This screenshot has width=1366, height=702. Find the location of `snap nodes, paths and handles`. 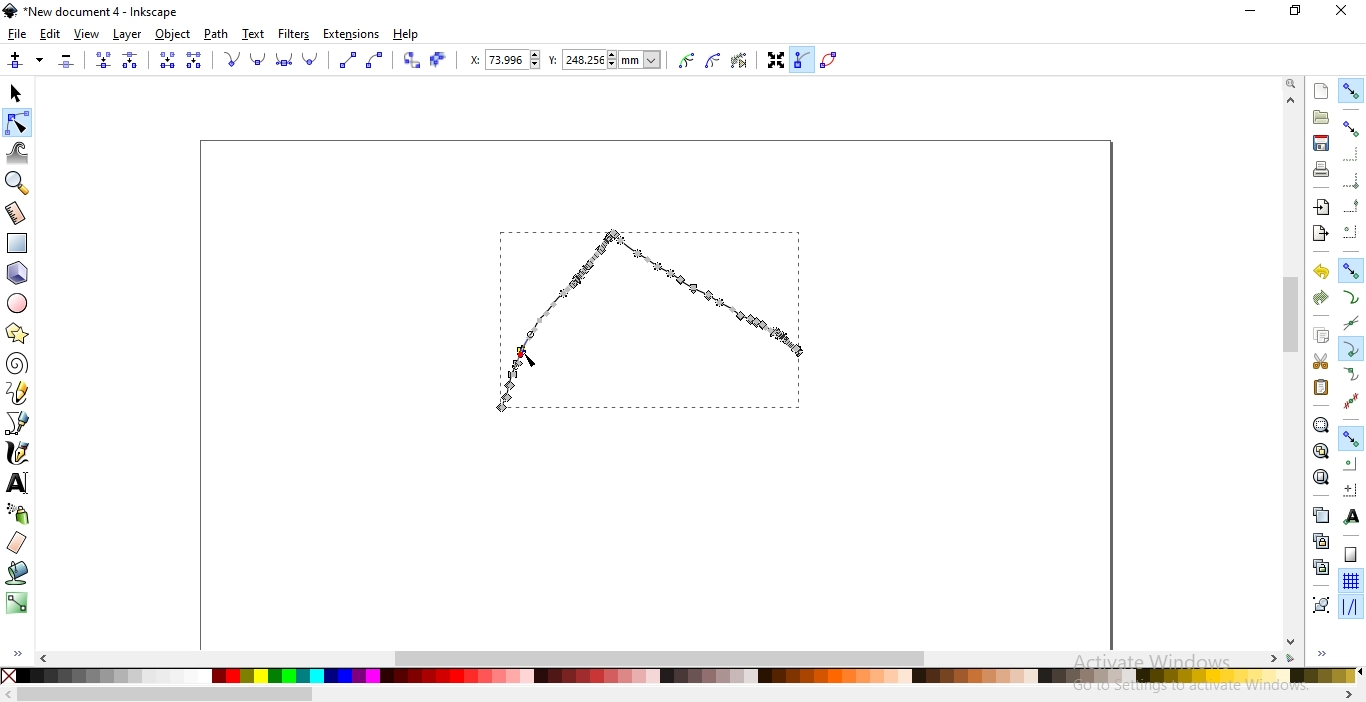

snap nodes, paths and handles is located at coordinates (1349, 269).